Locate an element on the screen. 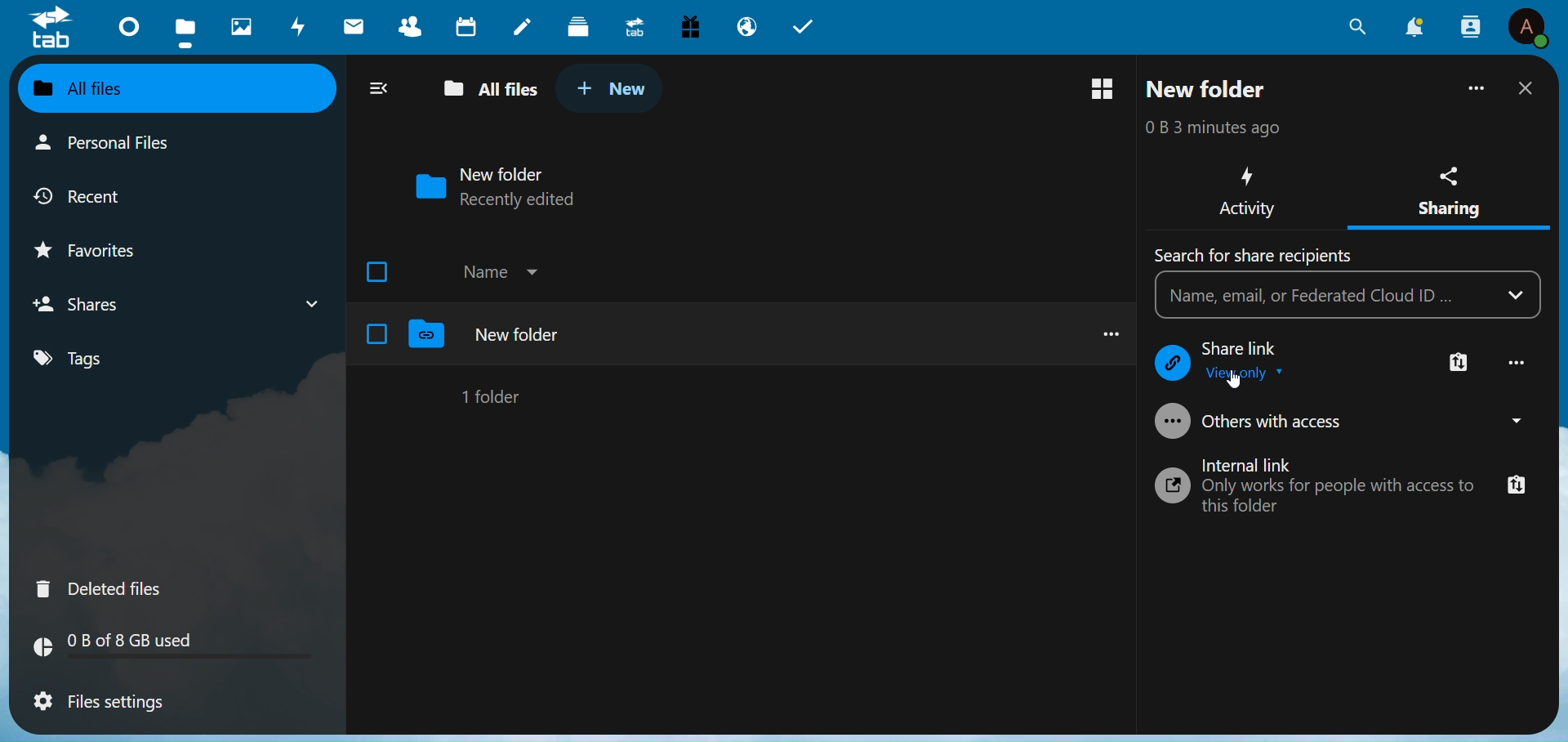 The width and height of the screenshot is (1568, 742). All Files is located at coordinates (485, 90).